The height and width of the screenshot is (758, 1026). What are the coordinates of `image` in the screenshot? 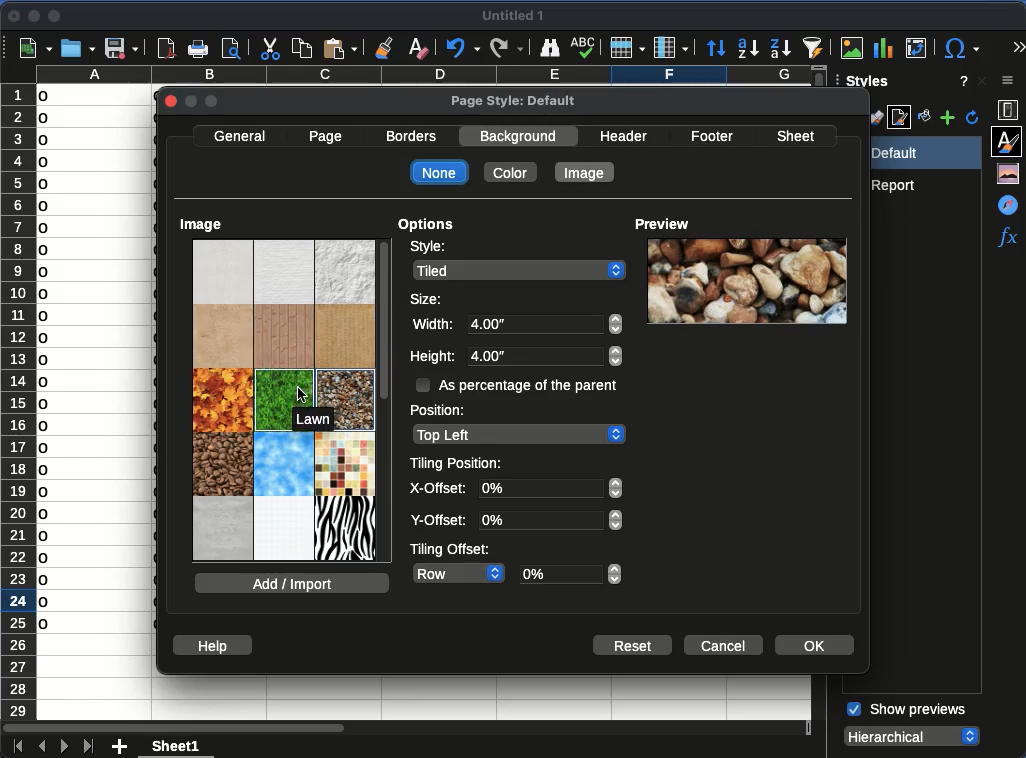 It's located at (284, 402).